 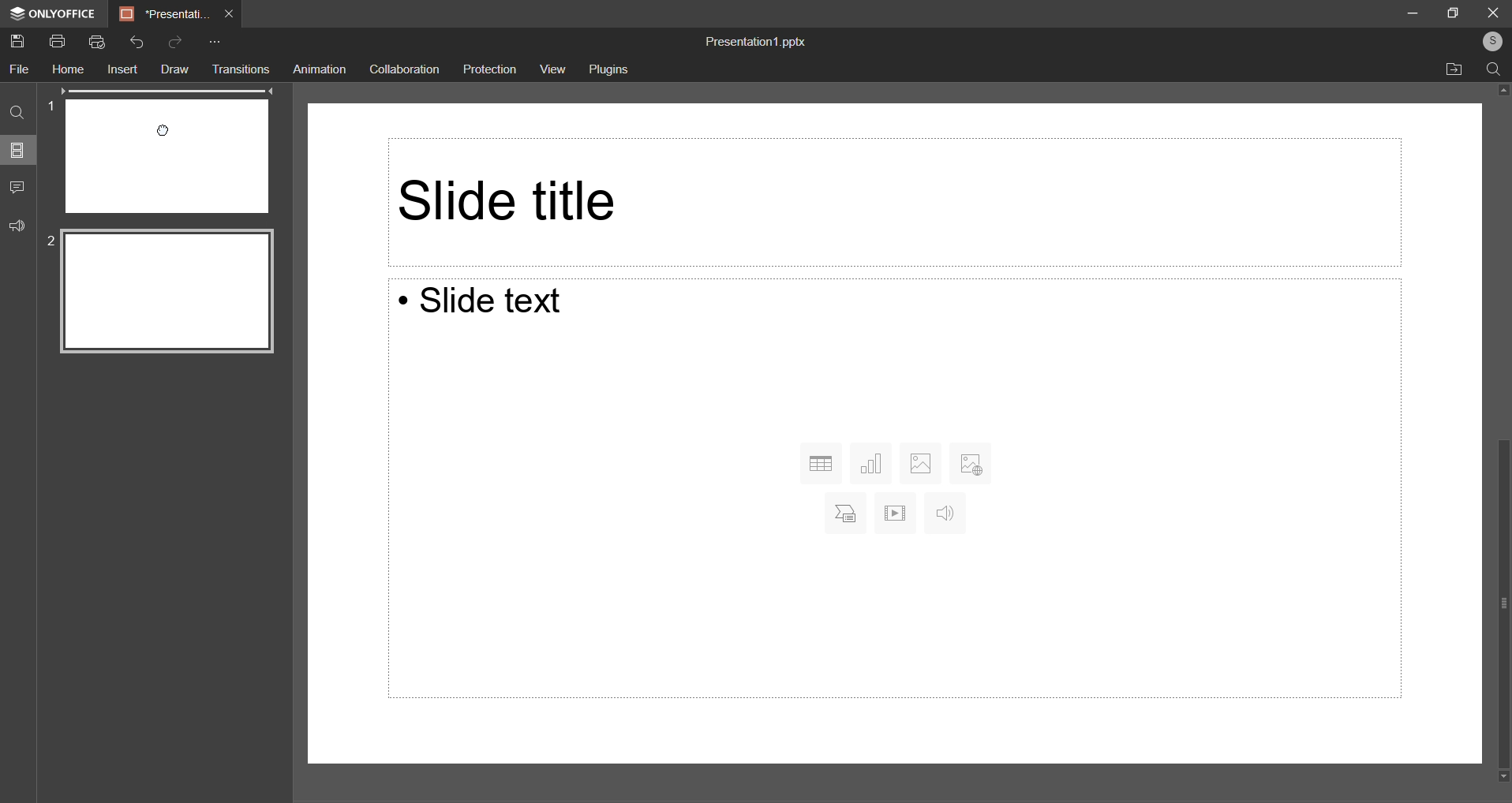 What do you see at coordinates (821, 464) in the screenshot?
I see `Table` at bounding box center [821, 464].